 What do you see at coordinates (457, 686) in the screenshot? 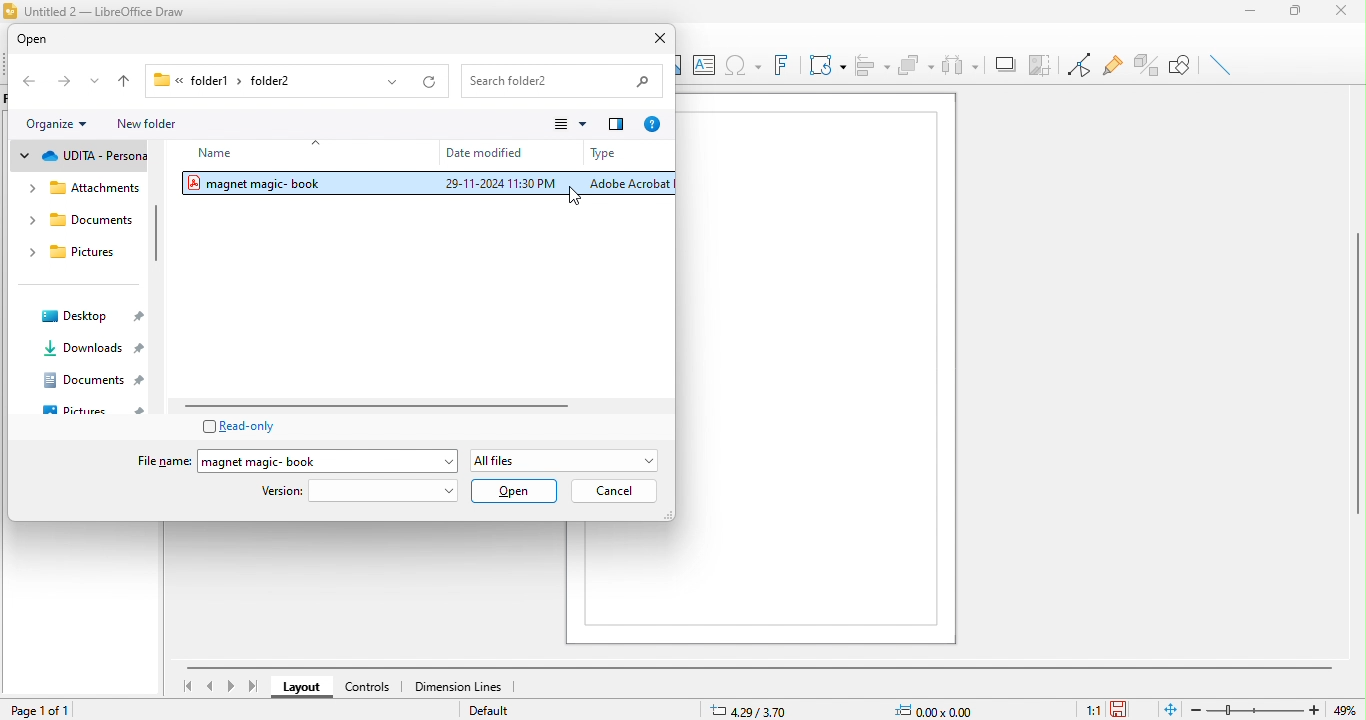
I see `dimension line` at bounding box center [457, 686].